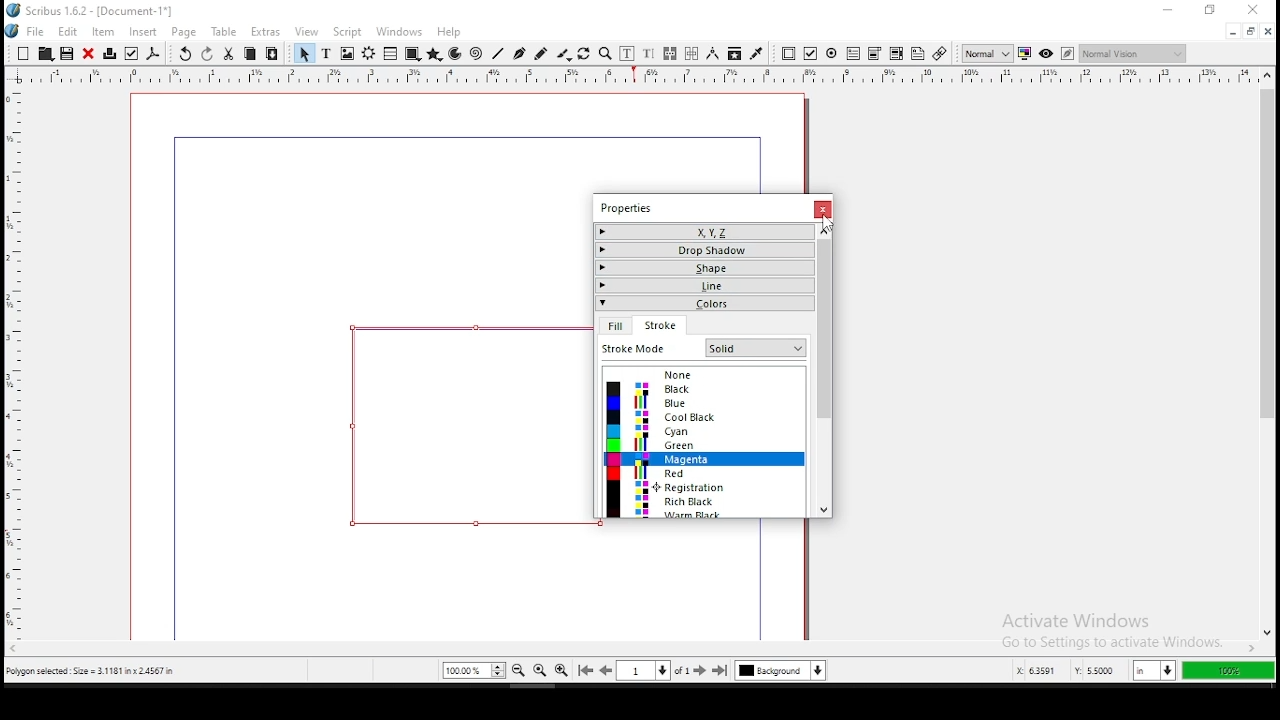  What do you see at coordinates (229, 55) in the screenshot?
I see `cut` at bounding box center [229, 55].